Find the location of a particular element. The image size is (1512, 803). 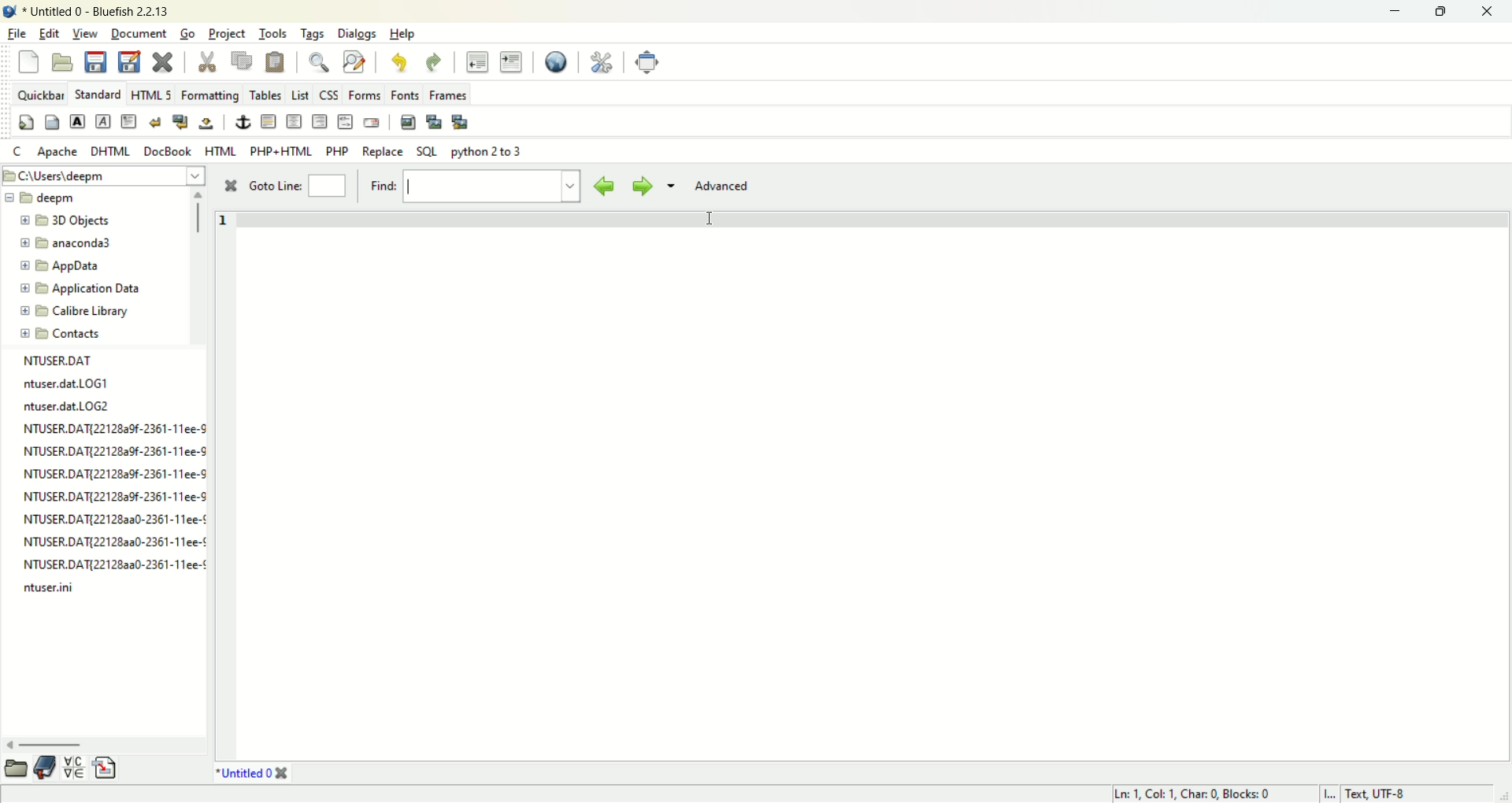

tables is located at coordinates (265, 94).